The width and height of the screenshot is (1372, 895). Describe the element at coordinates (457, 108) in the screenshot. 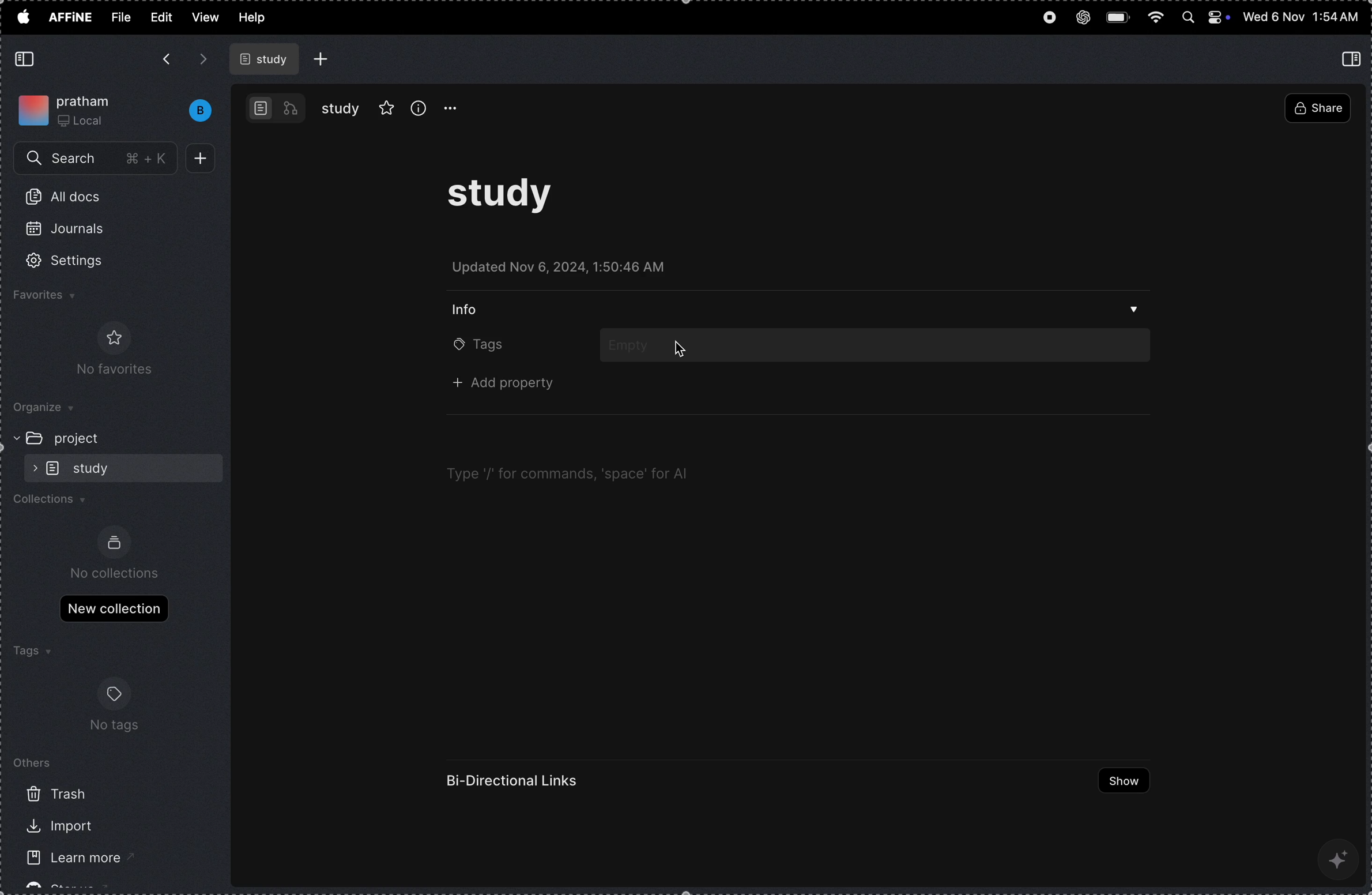

I see `option` at that location.